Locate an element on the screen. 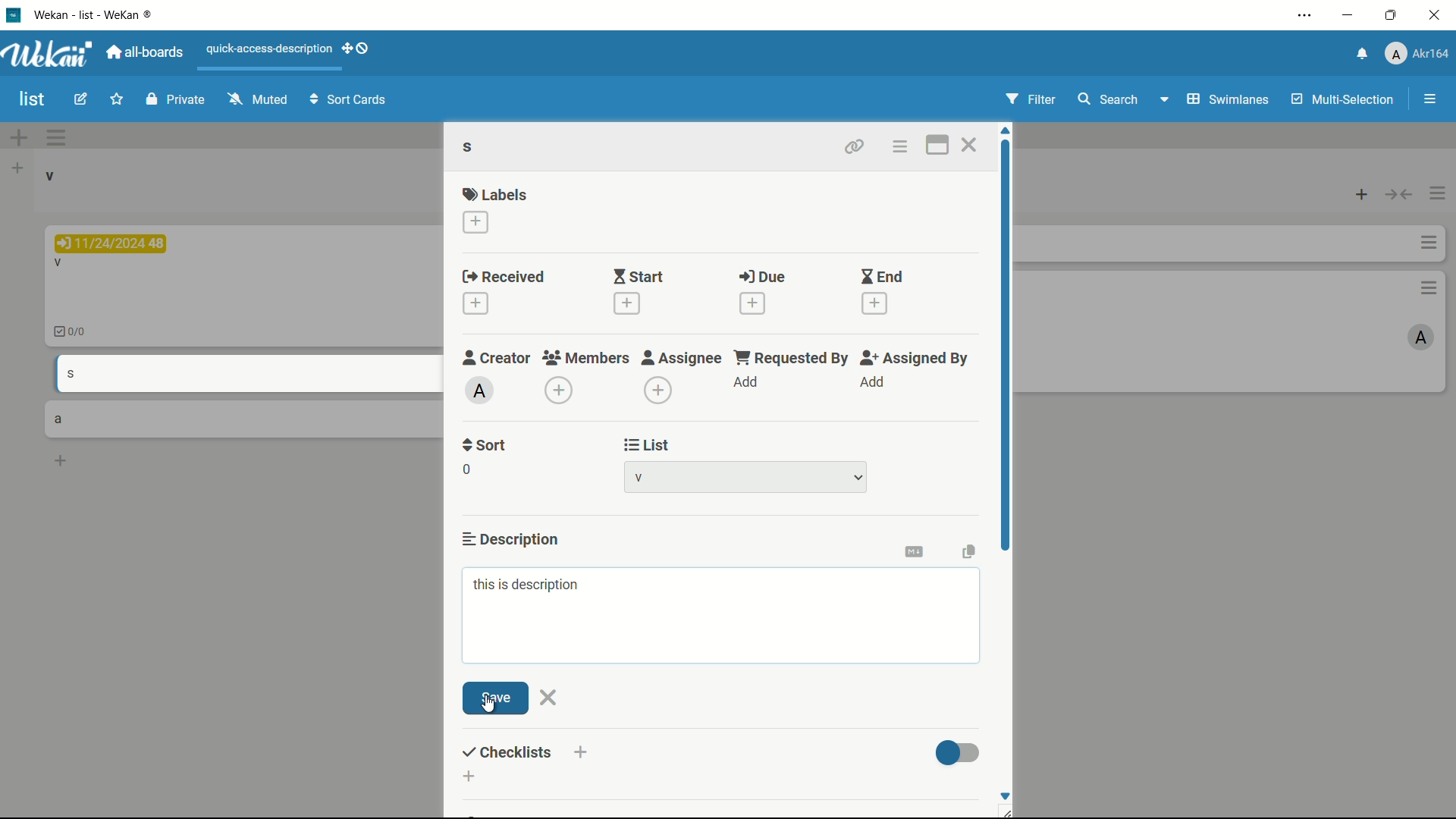 This screenshot has width=1456, height=819. cursor is located at coordinates (488, 705).